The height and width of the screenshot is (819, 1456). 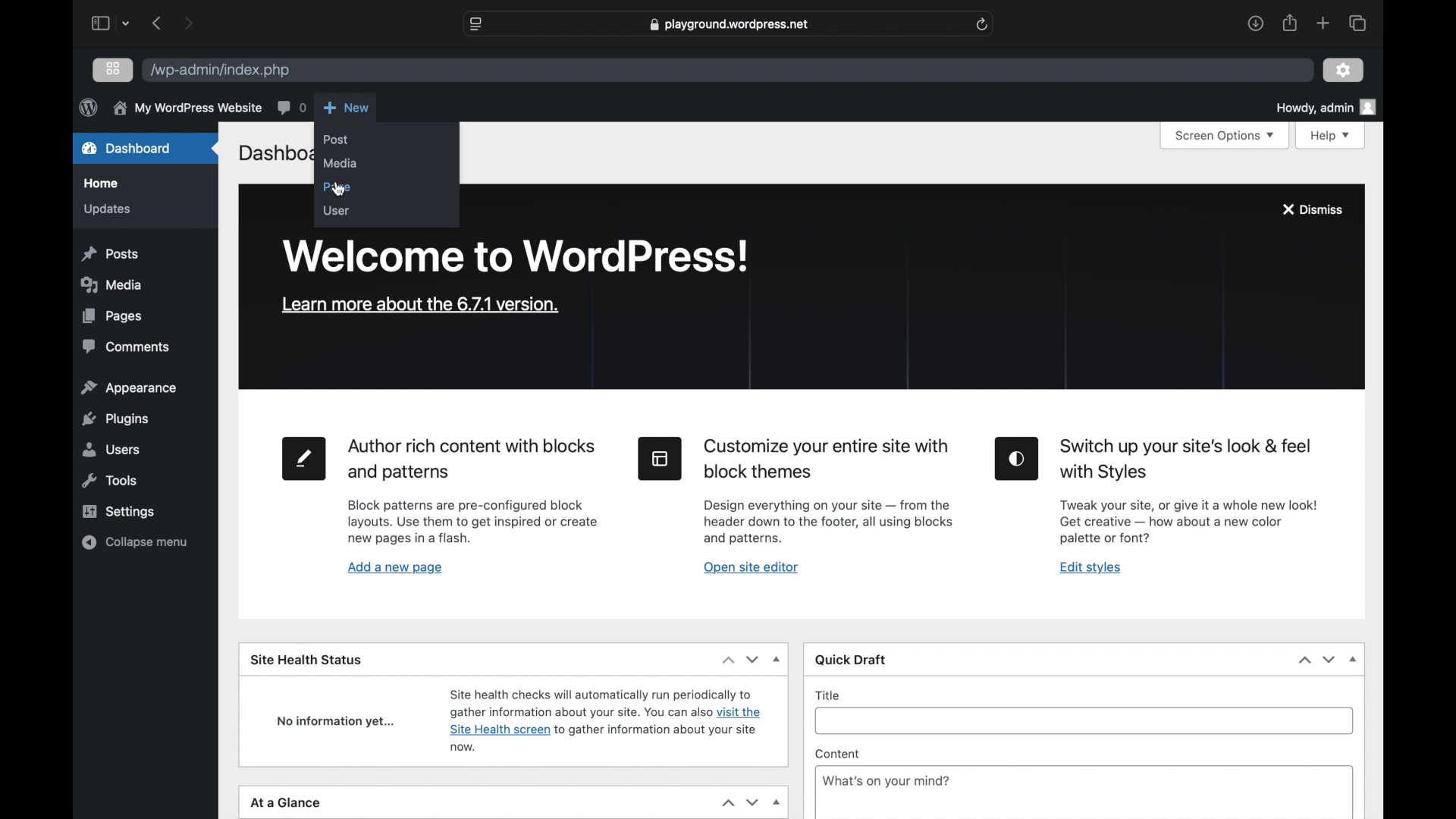 What do you see at coordinates (117, 420) in the screenshot?
I see `plugins` at bounding box center [117, 420].